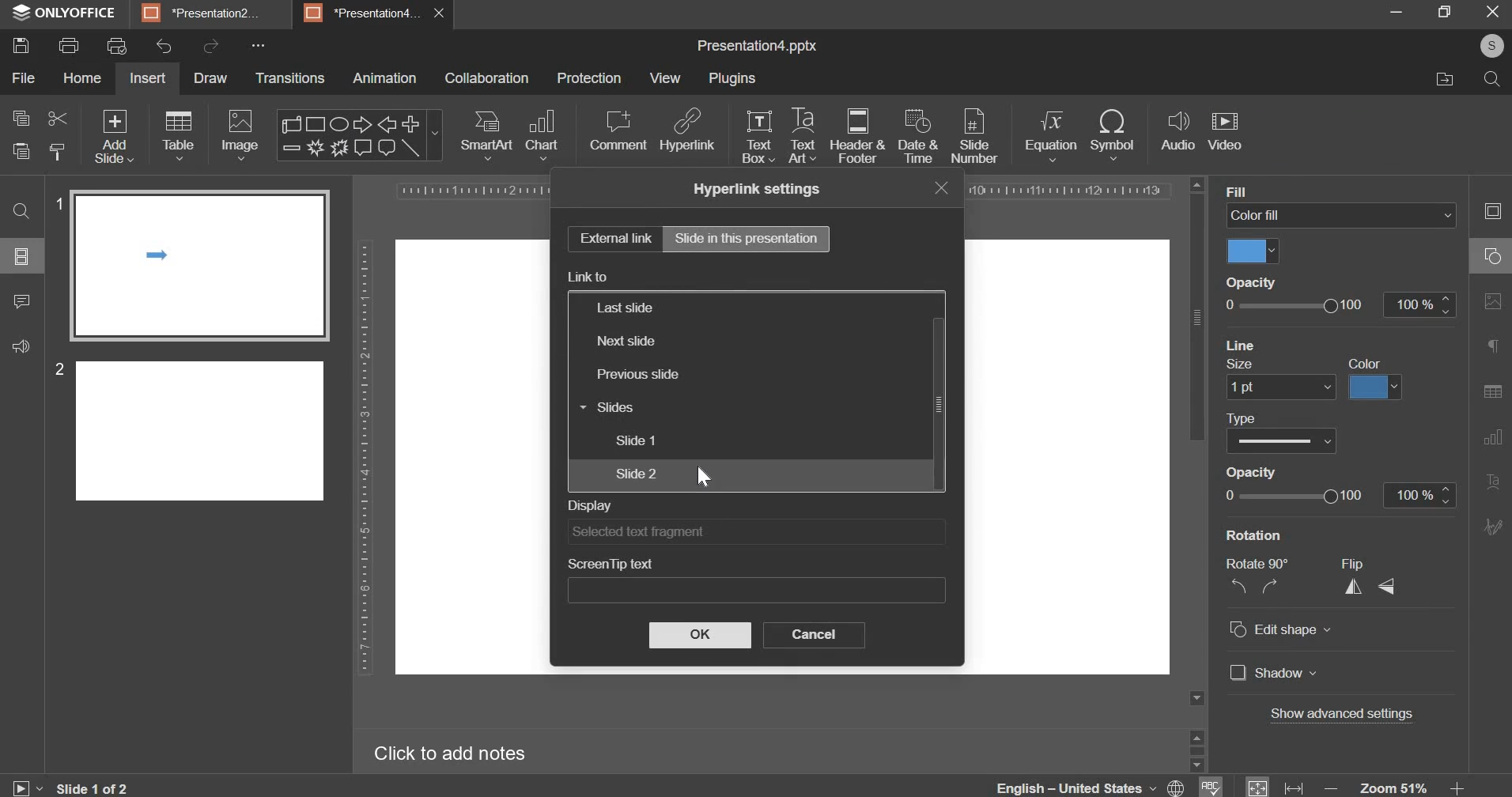  Describe the element at coordinates (71, 45) in the screenshot. I see `print` at that location.